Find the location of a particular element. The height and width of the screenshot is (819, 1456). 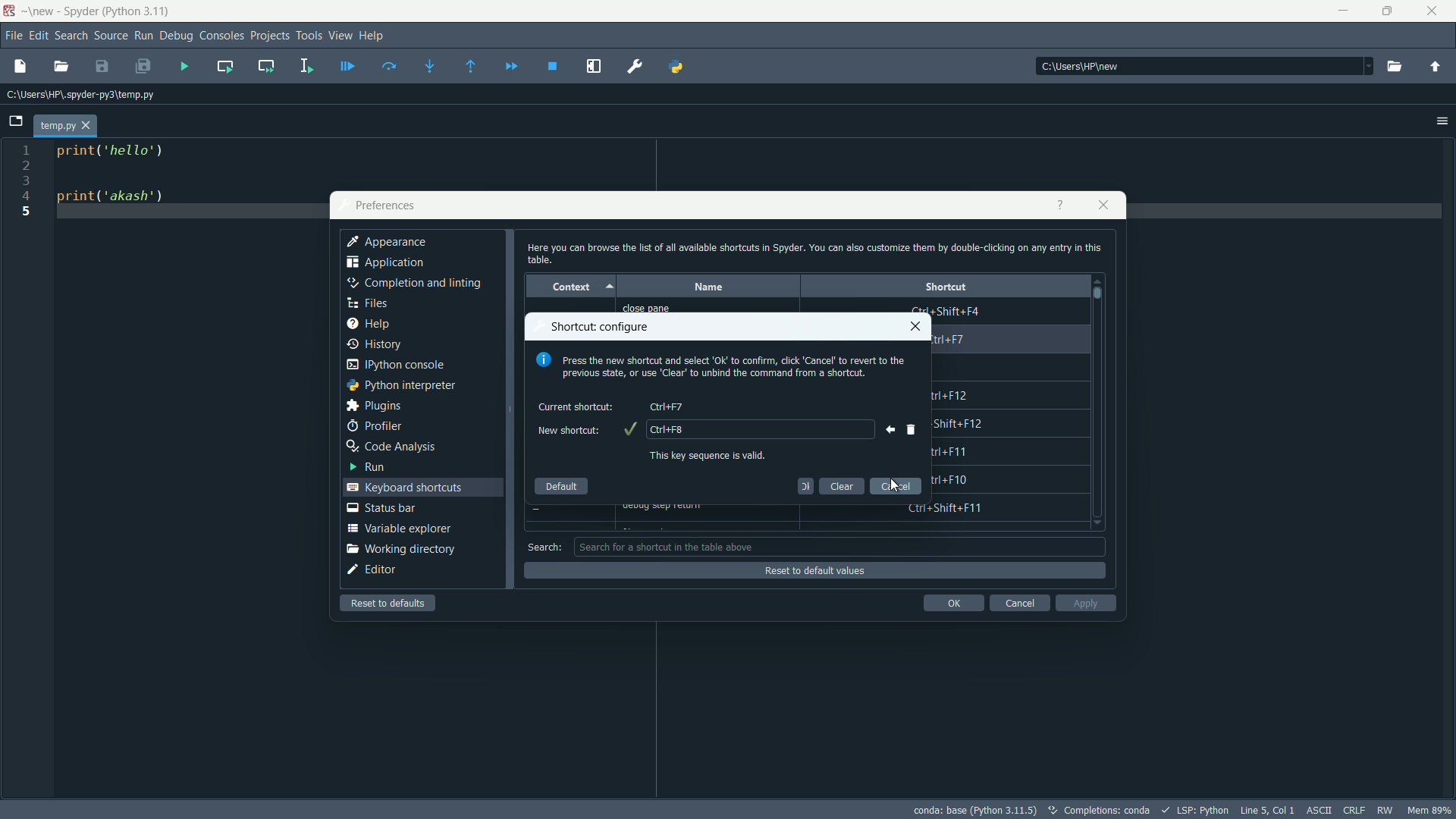

appearance is located at coordinates (388, 242).